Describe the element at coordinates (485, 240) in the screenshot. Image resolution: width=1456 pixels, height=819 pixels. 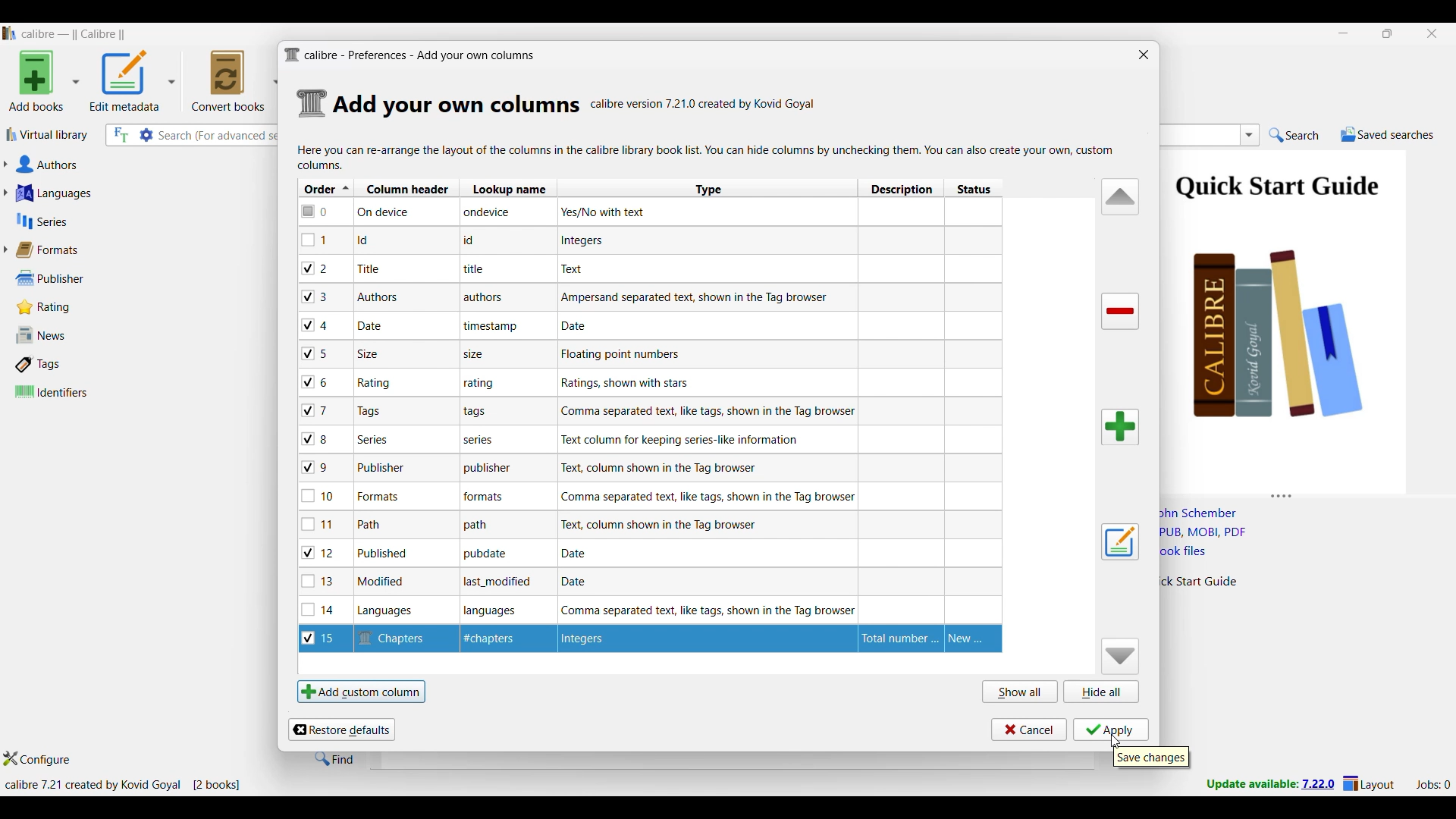
I see `note` at that location.